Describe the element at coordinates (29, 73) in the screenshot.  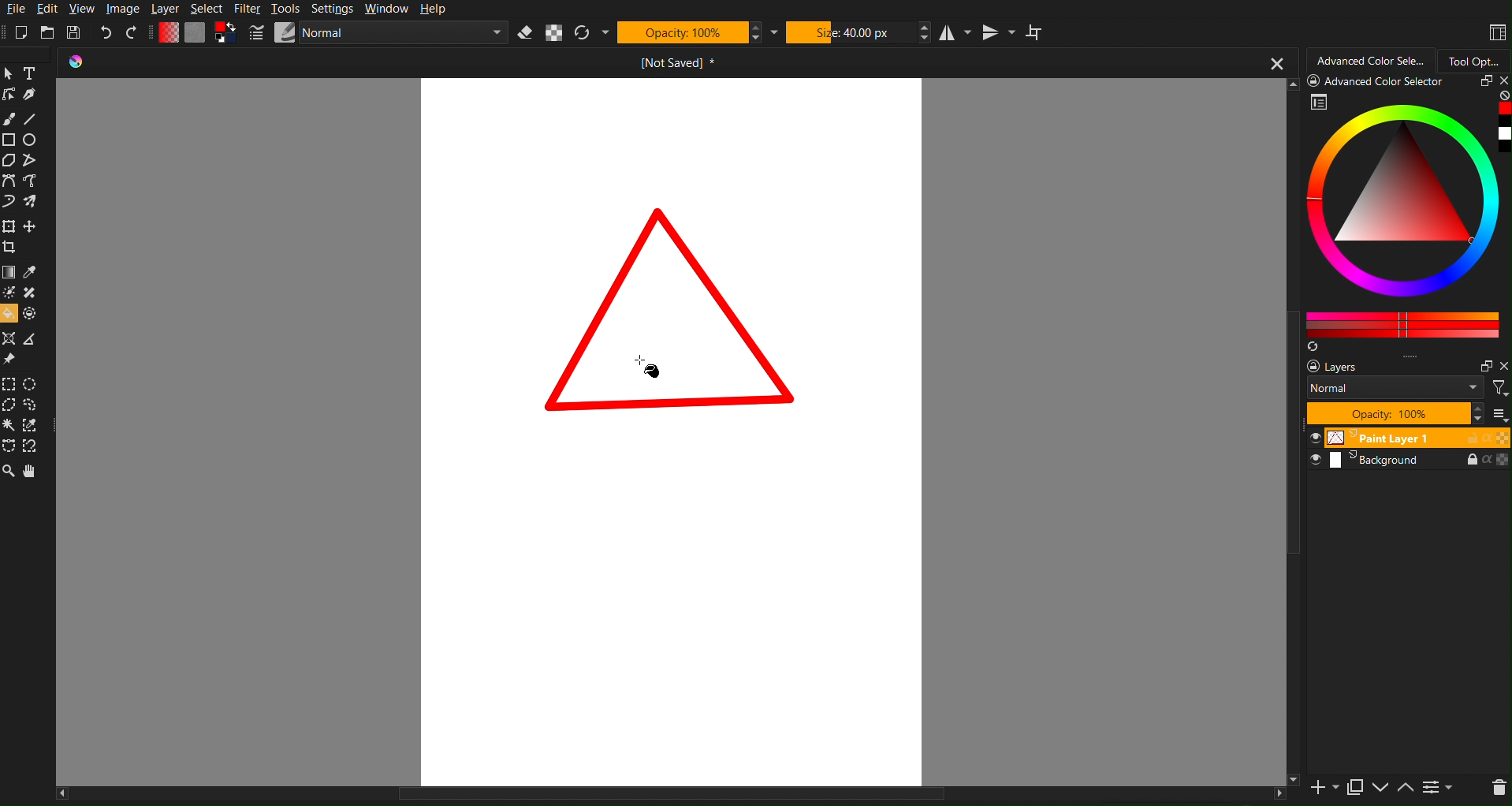
I see `Text` at that location.